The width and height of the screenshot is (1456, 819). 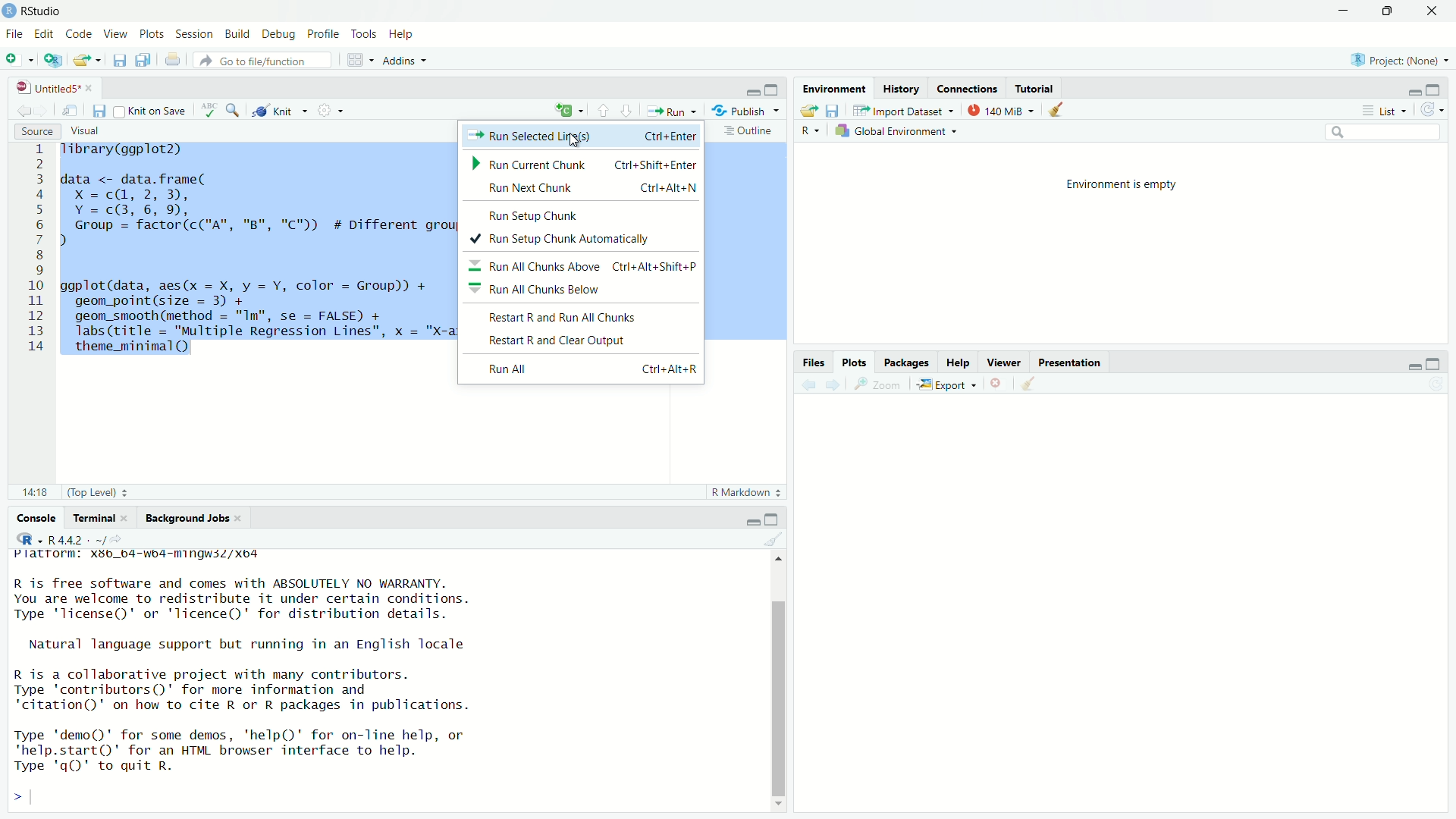 What do you see at coordinates (53, 86) in the screenshot?
I see `| UntitledS* «` at bounding box center [53, 86].